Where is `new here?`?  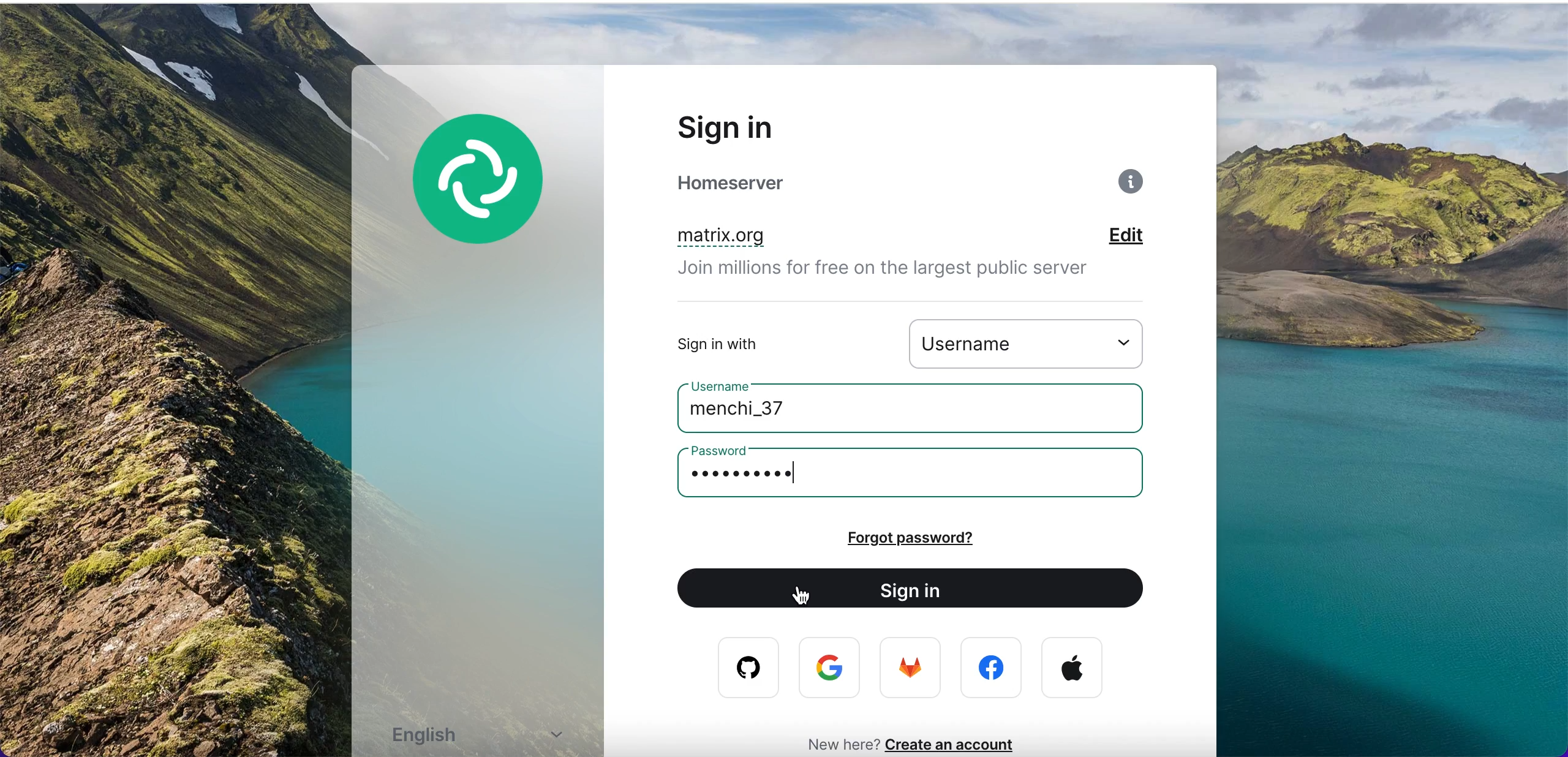
new here? is located at coordinates (836, 743).